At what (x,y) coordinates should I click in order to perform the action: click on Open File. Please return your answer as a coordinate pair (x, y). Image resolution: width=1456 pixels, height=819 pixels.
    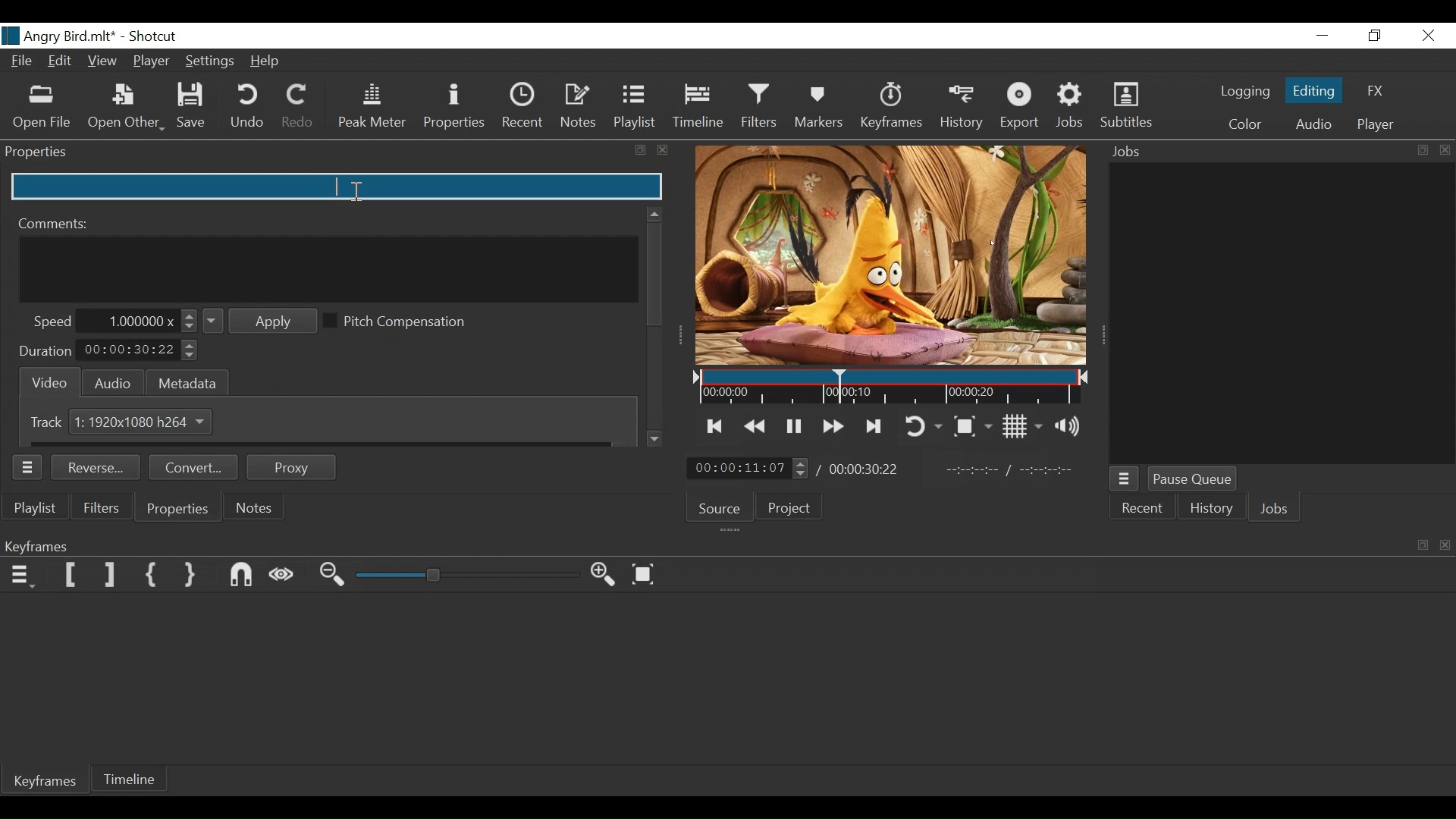
    Looking at the image, I should click on (42, 107).